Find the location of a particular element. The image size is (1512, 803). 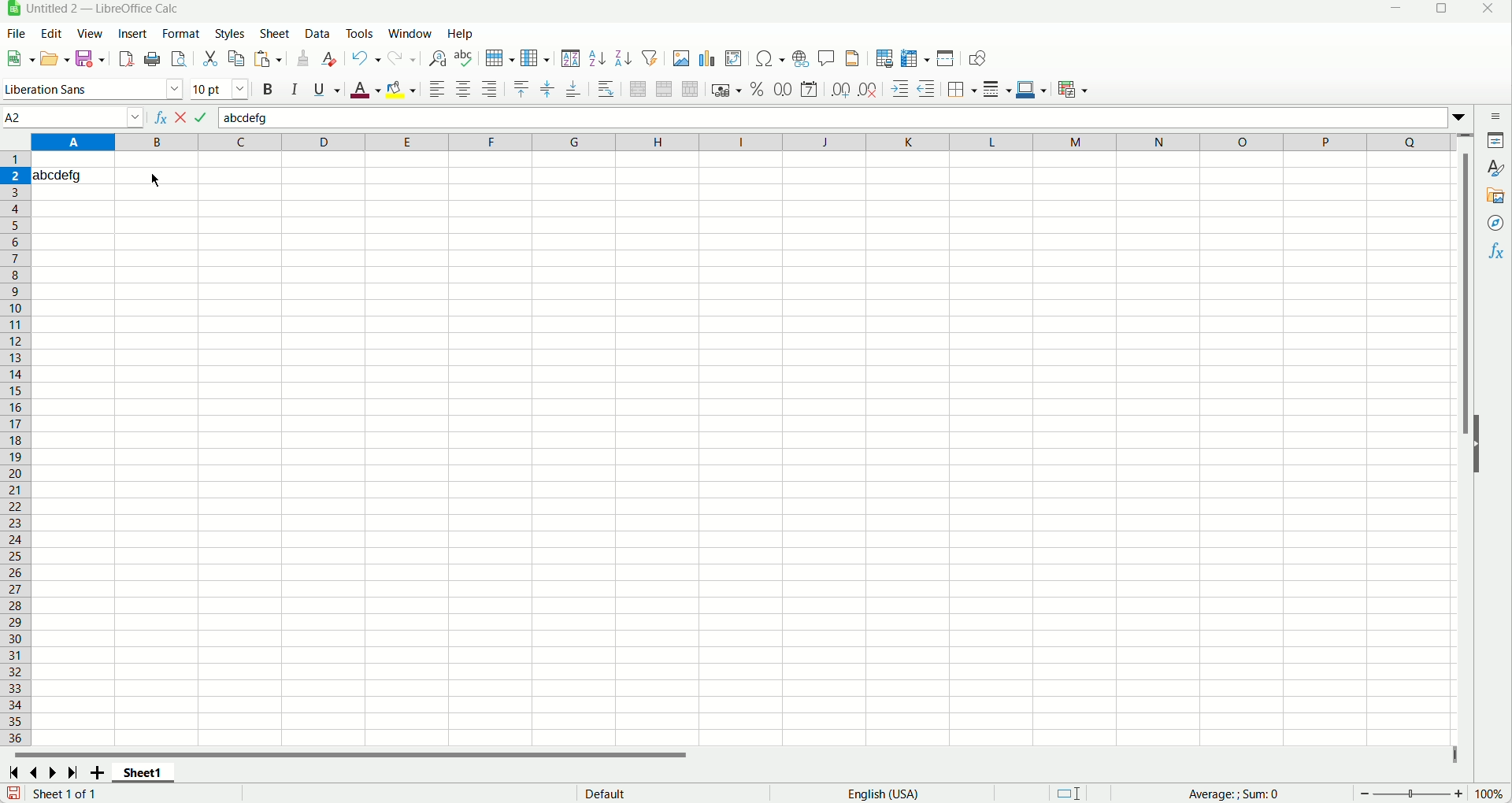

view is located at coordinates (91, 32).